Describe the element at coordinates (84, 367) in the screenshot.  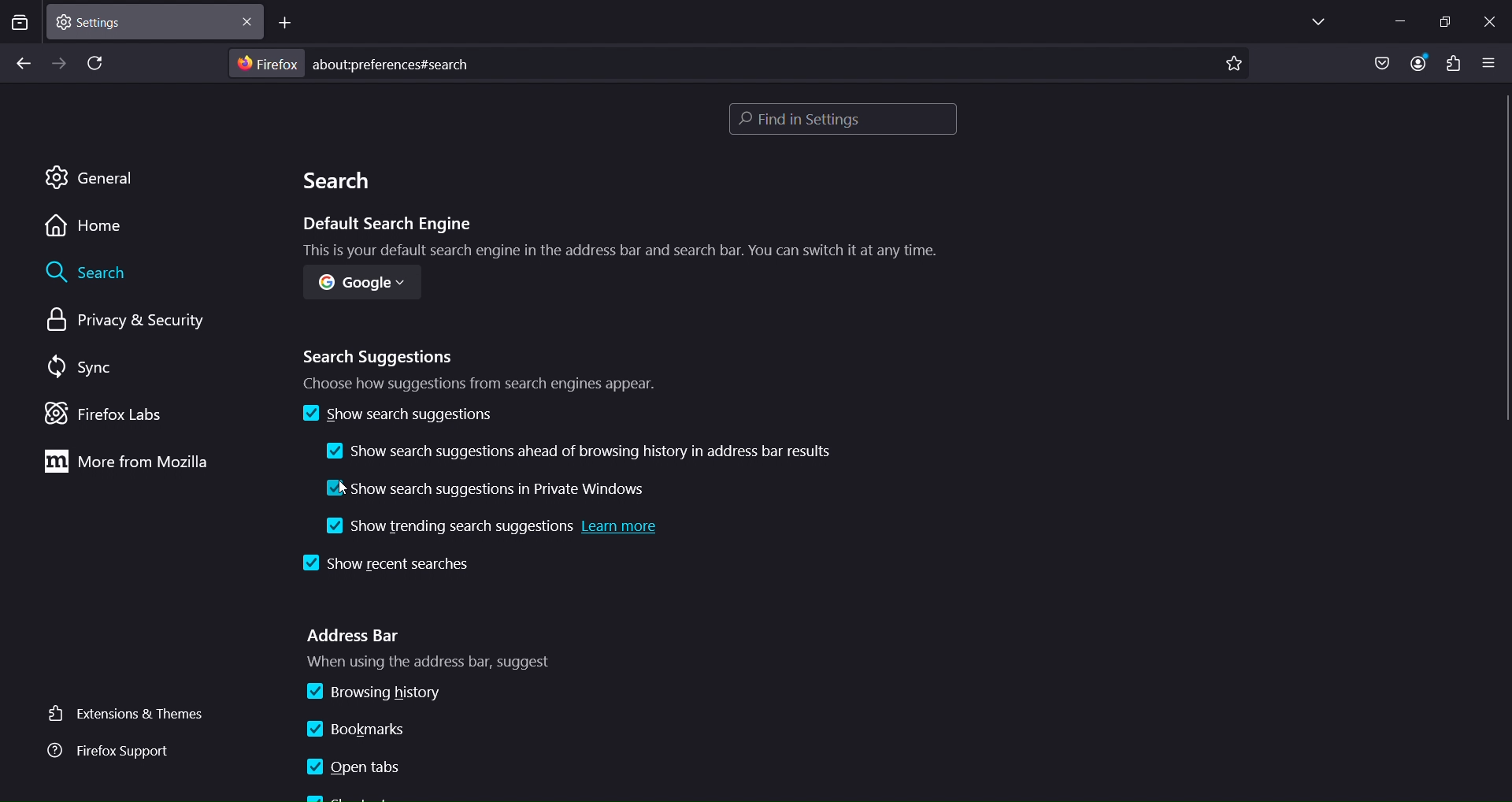
I see `ync` at that location.